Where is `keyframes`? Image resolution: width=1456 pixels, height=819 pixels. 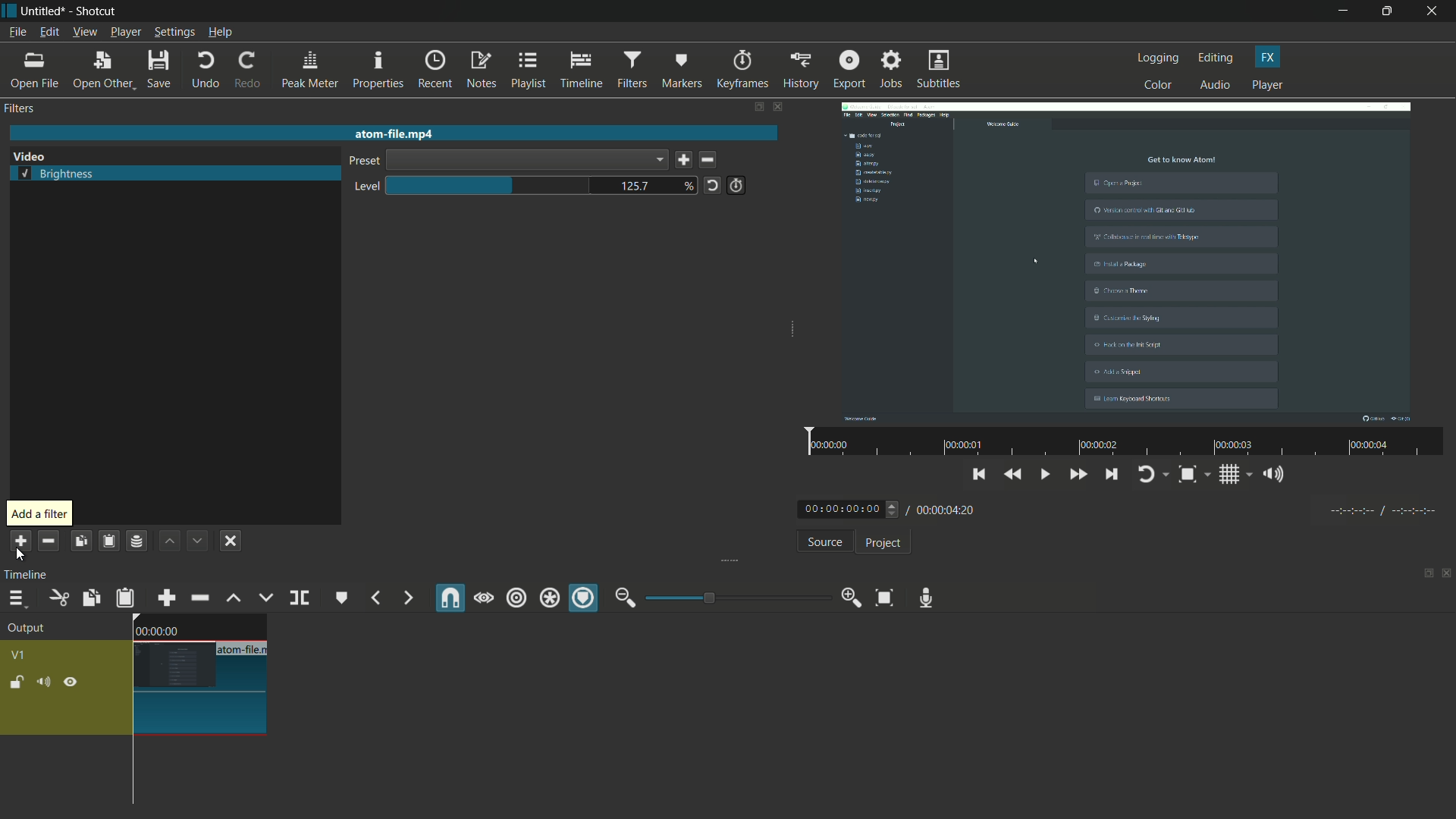
keyframes is located at coordinates (742, 70).